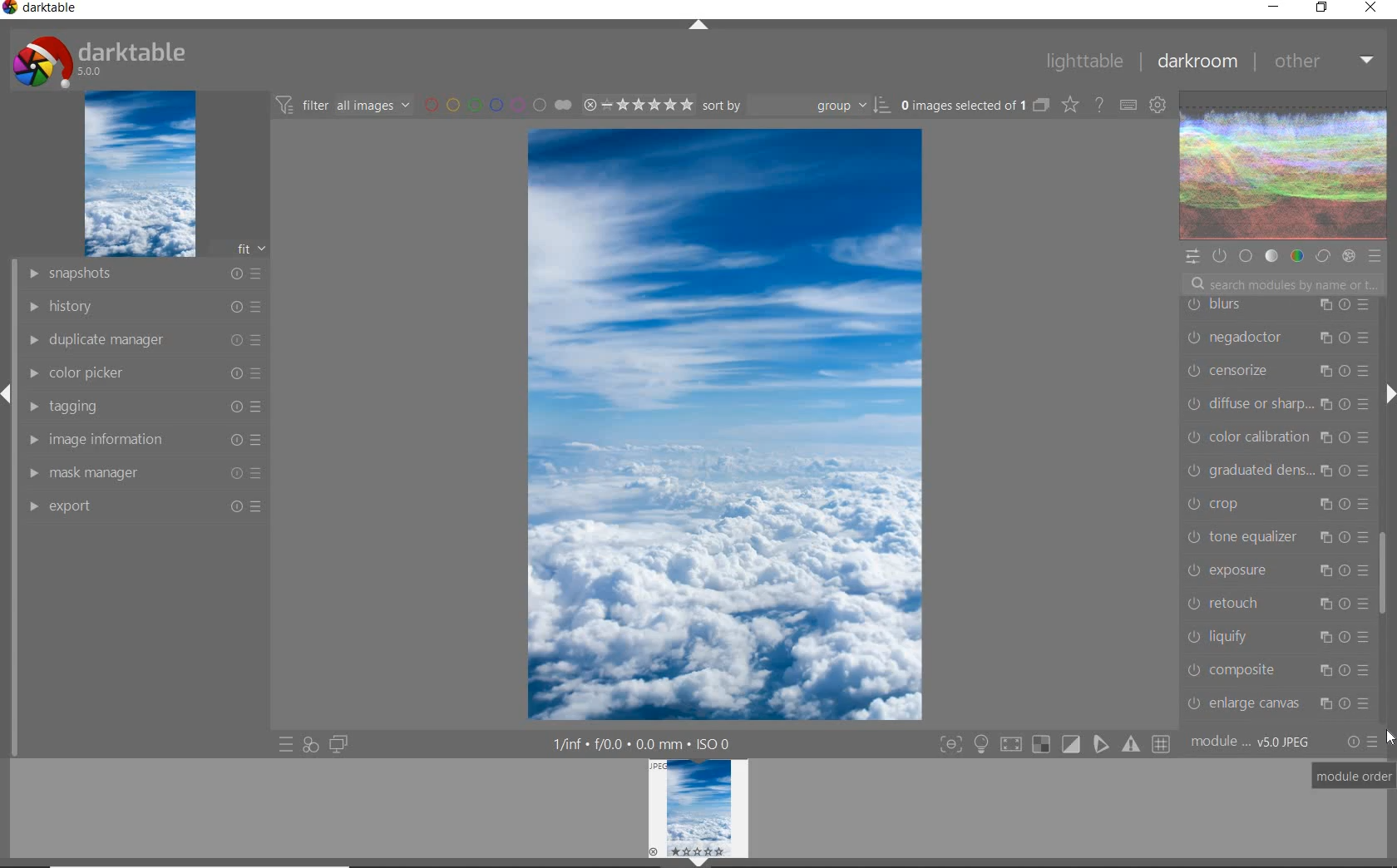  Describe the element at coordinates (1375, 256) in the screenshot. I see `PRESET` at that location.